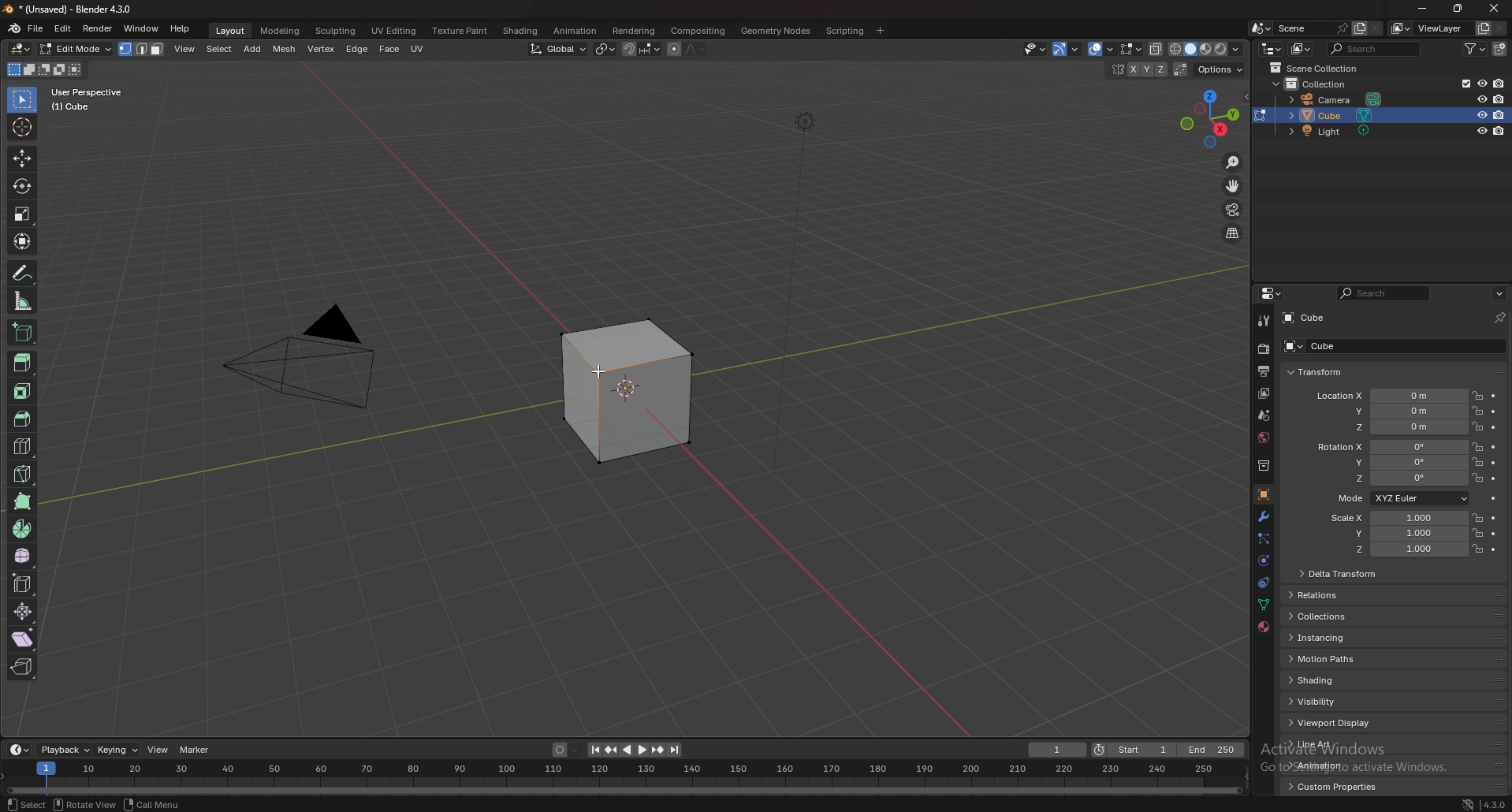 The height and width of the screenshot is (812, 1512). I want to click on select, so click(26, 803).